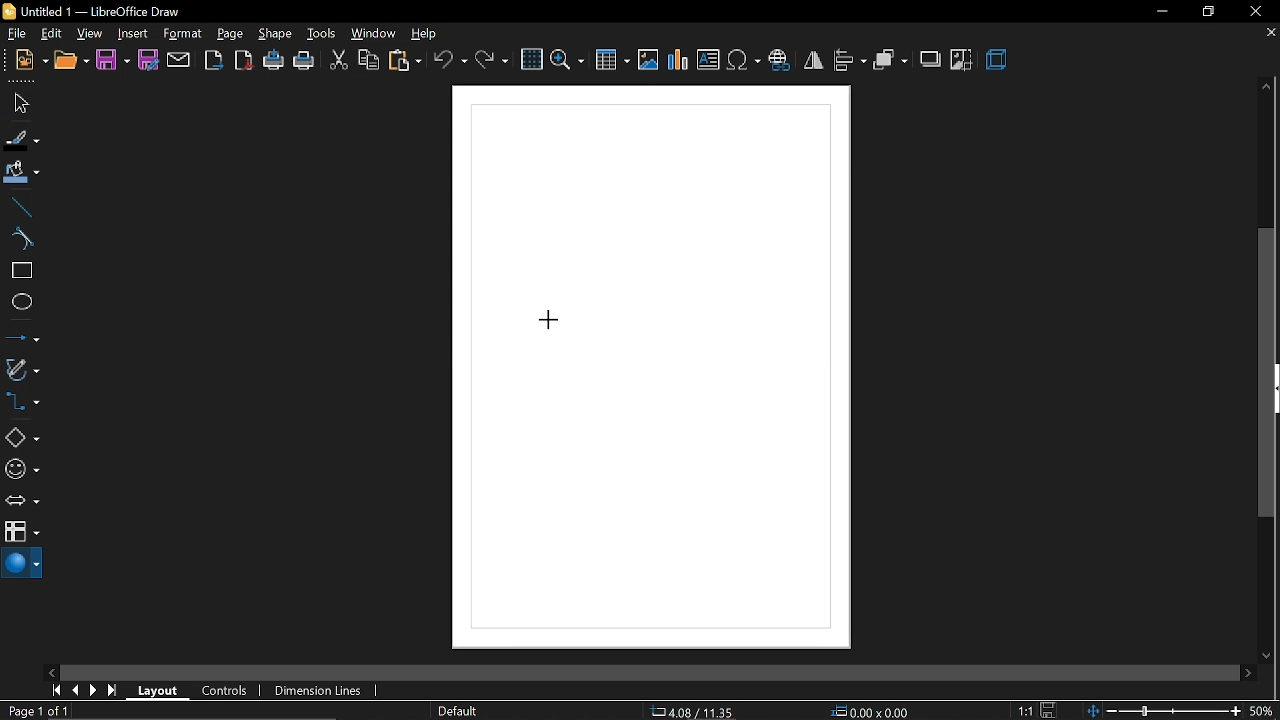 The image size is (1280, 720). Describe the element at coordinates (552, 321) in the screenshot. I see `Cursor` at that location.